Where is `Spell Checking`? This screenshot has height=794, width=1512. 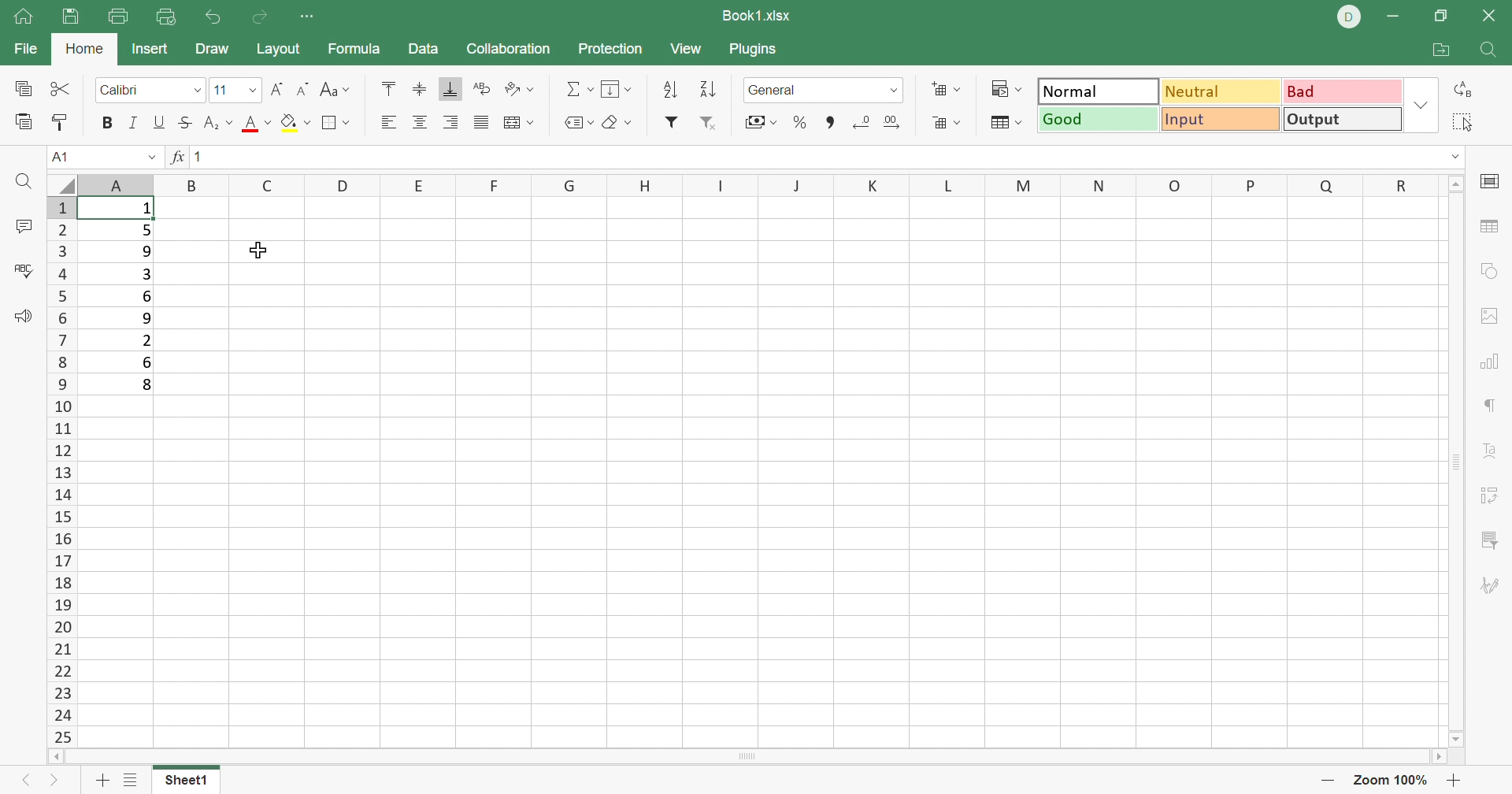
Spell Checking is located at coordinates (24, 273).